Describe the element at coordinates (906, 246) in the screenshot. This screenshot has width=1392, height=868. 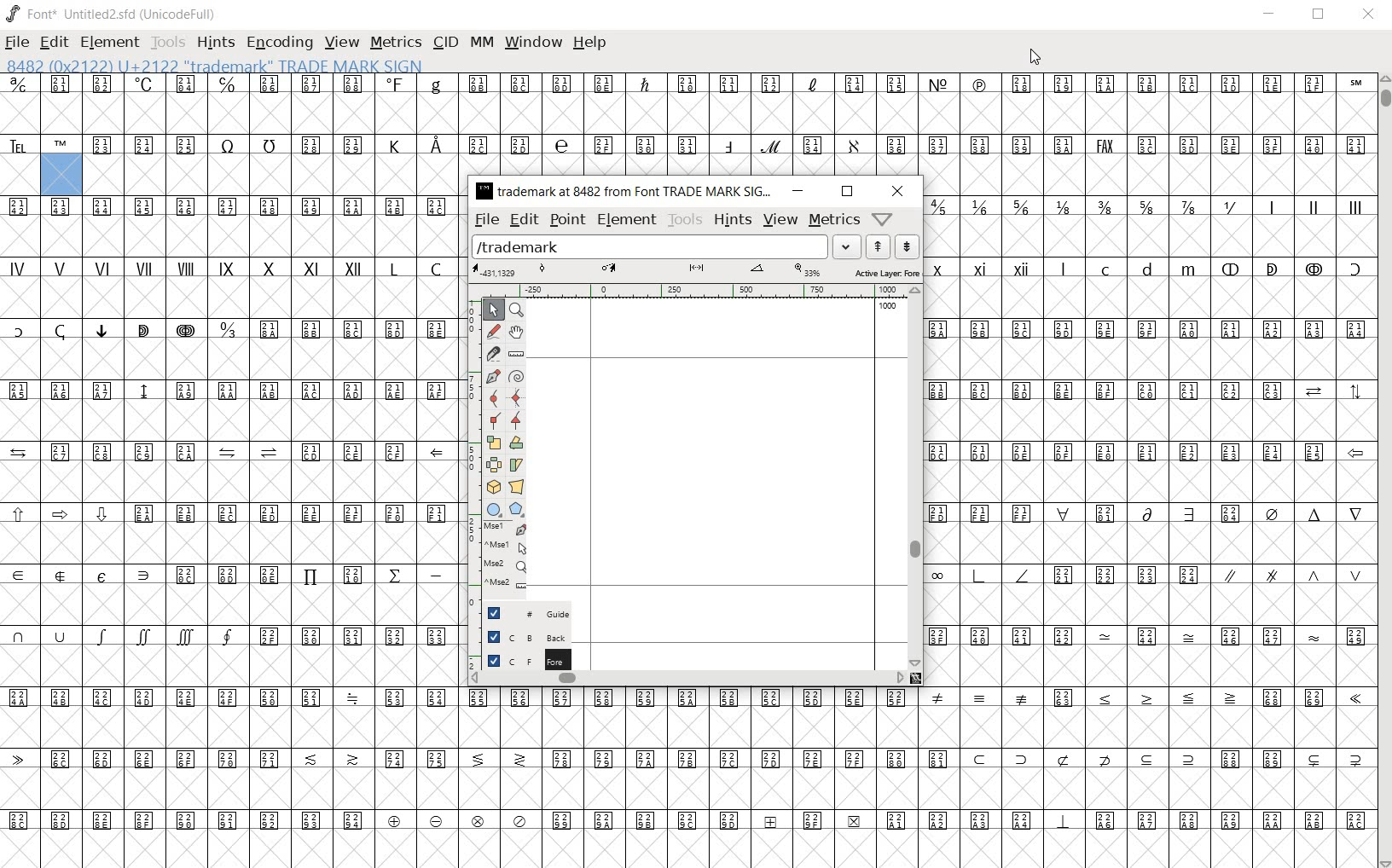
I see `show the previous word on the list` at that location.